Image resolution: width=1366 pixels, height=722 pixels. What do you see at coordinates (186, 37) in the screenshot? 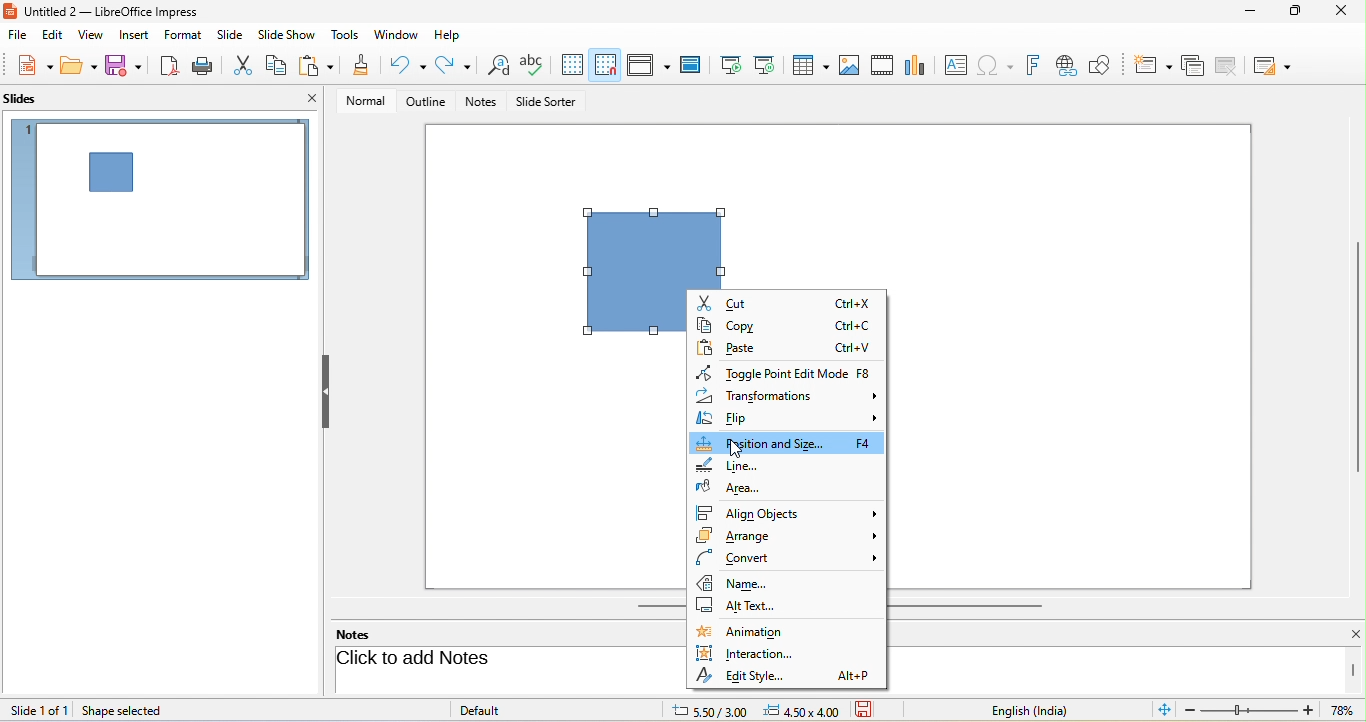
I see `format` at bounding box center [186, 37].